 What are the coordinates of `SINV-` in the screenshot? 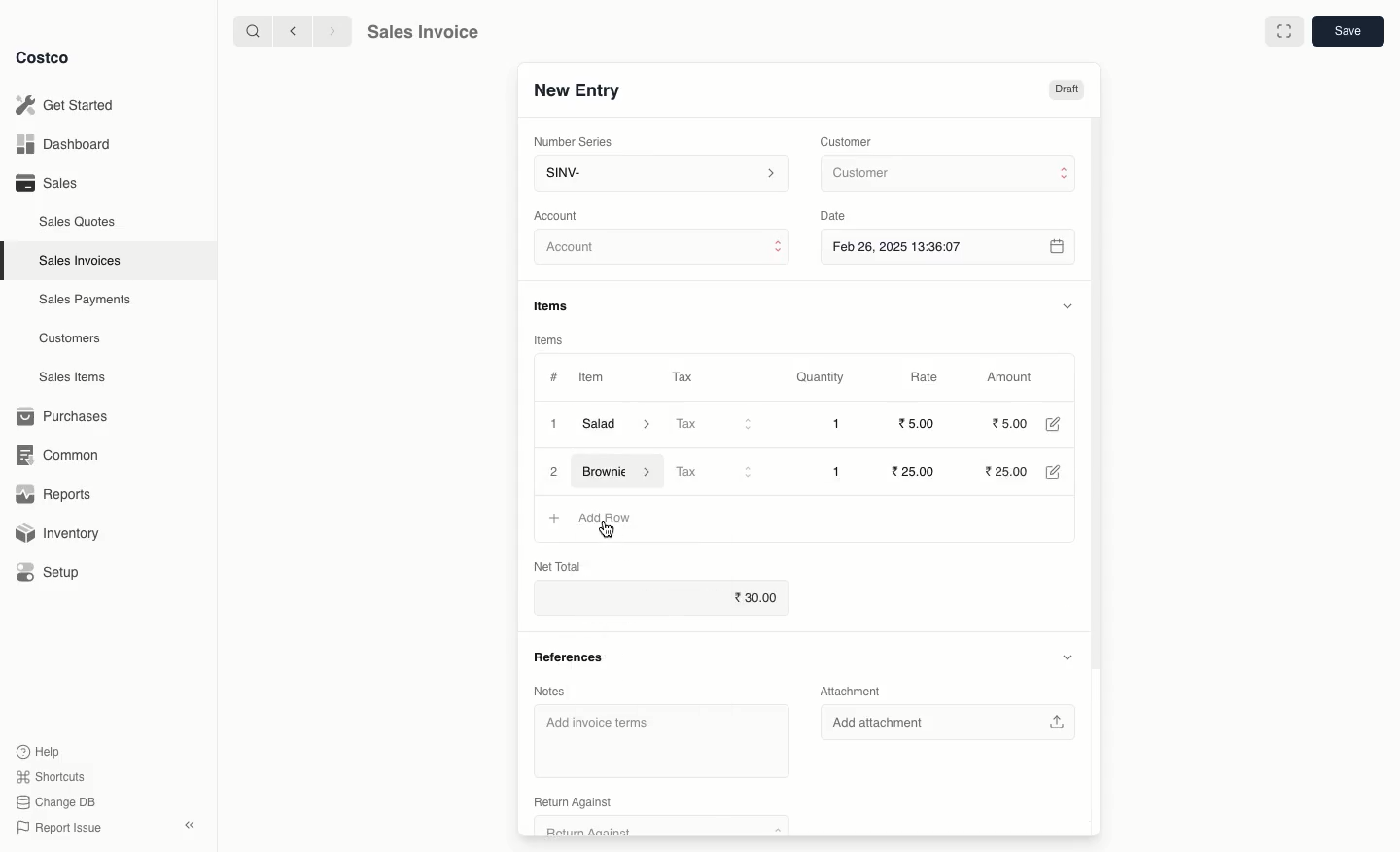 It's located at (660, 175).